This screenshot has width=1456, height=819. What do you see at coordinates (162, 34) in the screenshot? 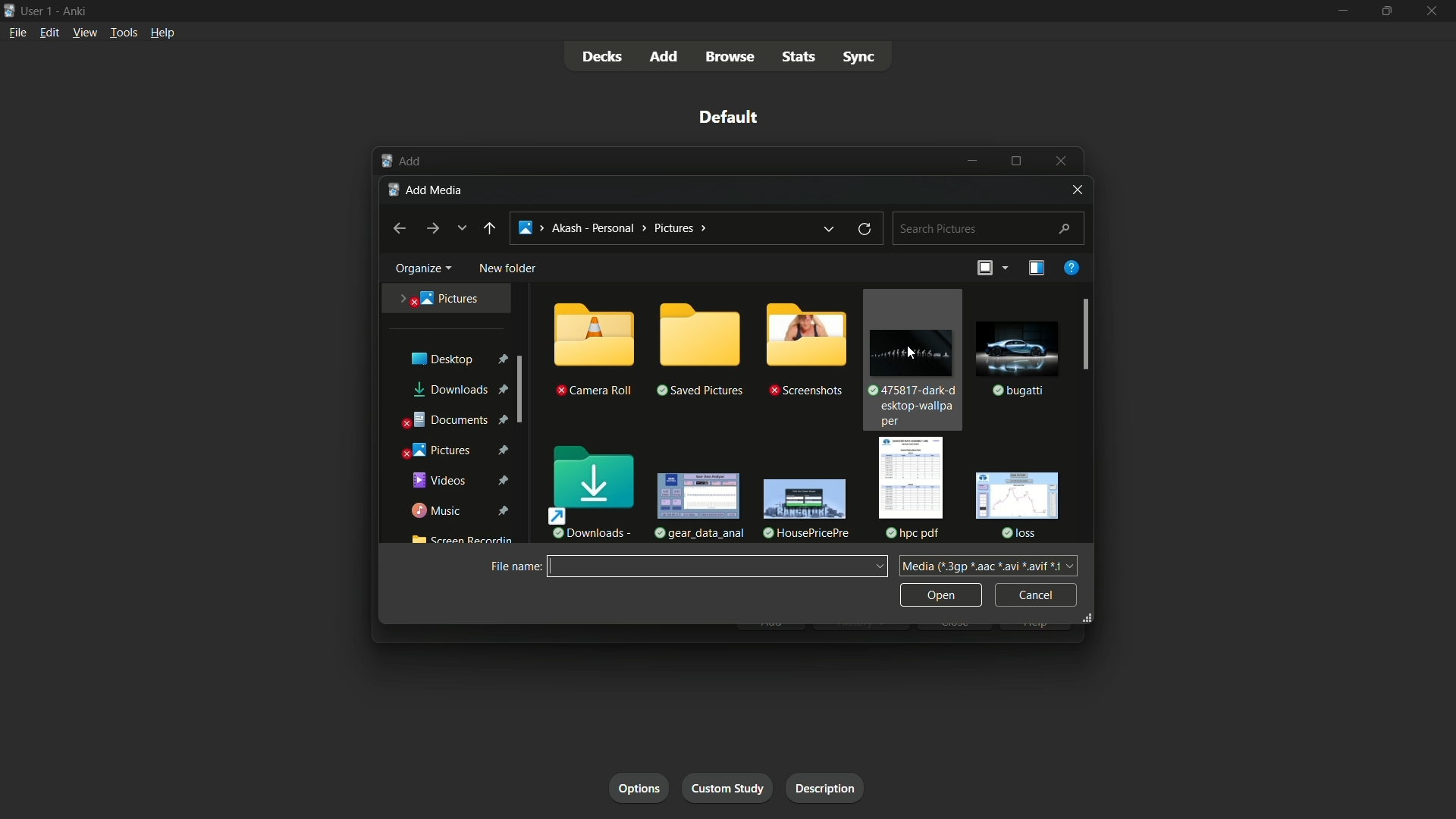
I see `help menu` at bounding box center [162, 34].